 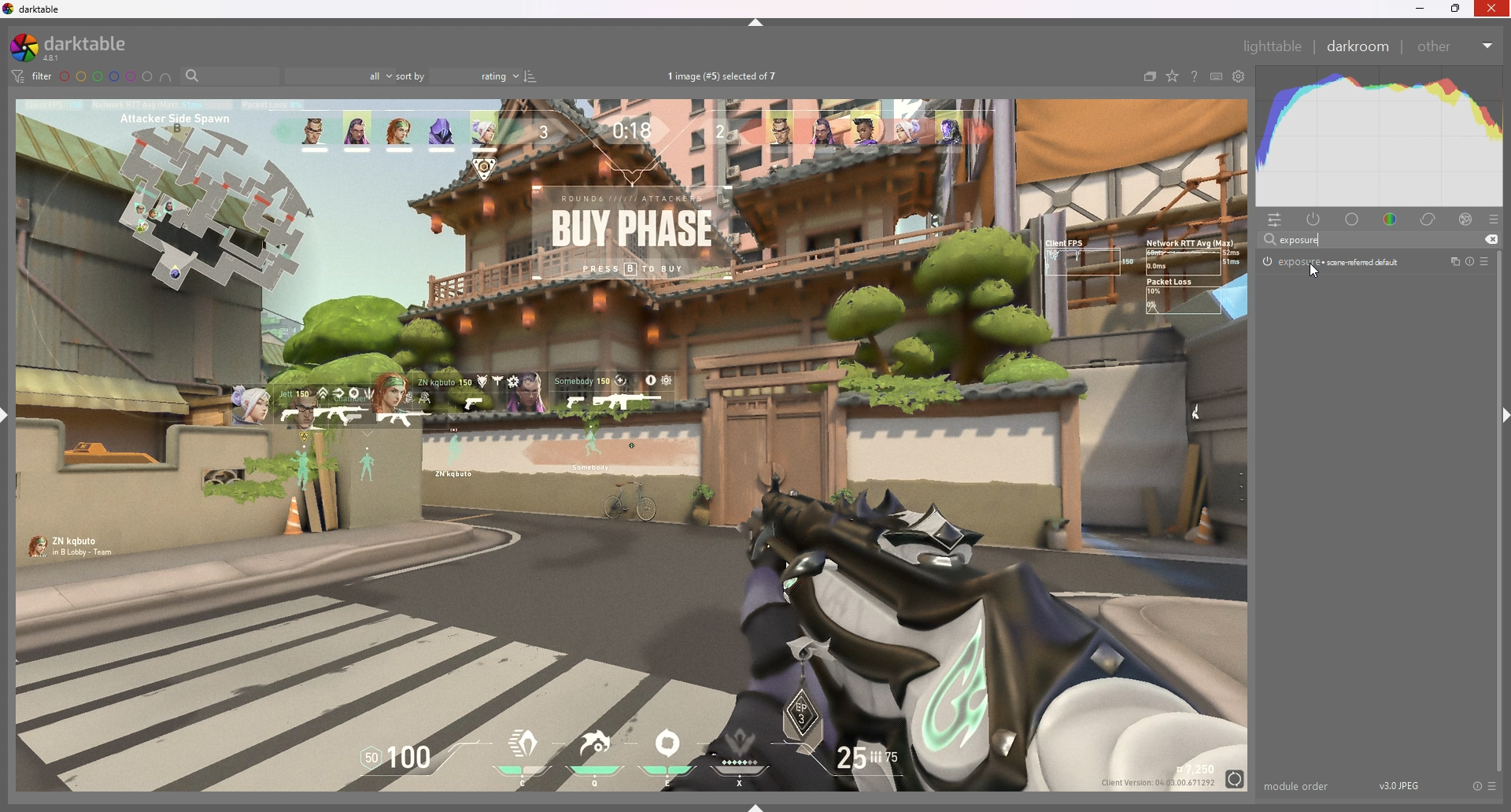 What do you see at coordinates (1332, 261) in the screenshot?
I see `exposure` at bounding box center [1332, 261].